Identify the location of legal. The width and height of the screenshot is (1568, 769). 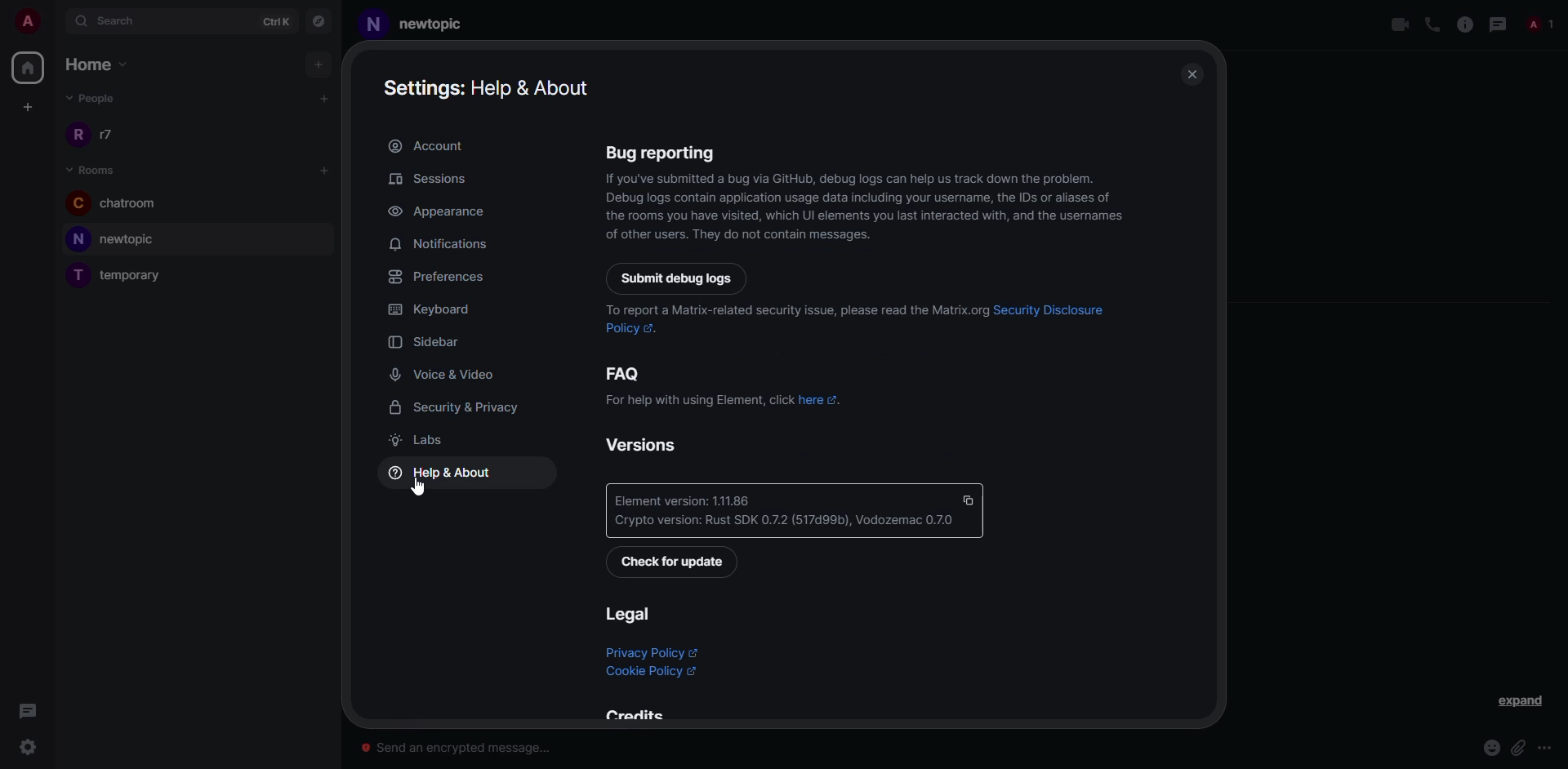
(630, 614).